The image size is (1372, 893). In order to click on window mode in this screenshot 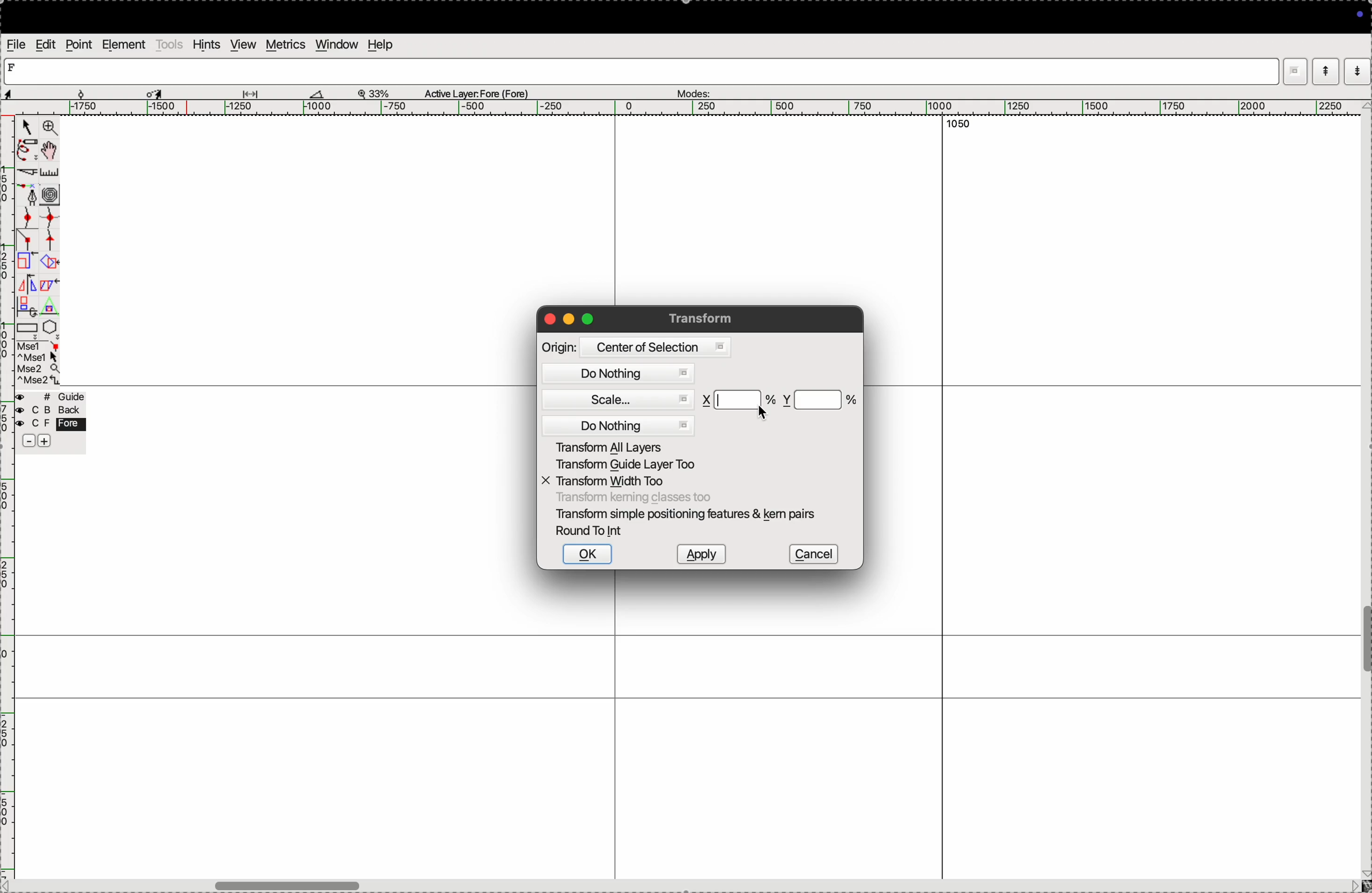, I will do `click(1295, 73)`.